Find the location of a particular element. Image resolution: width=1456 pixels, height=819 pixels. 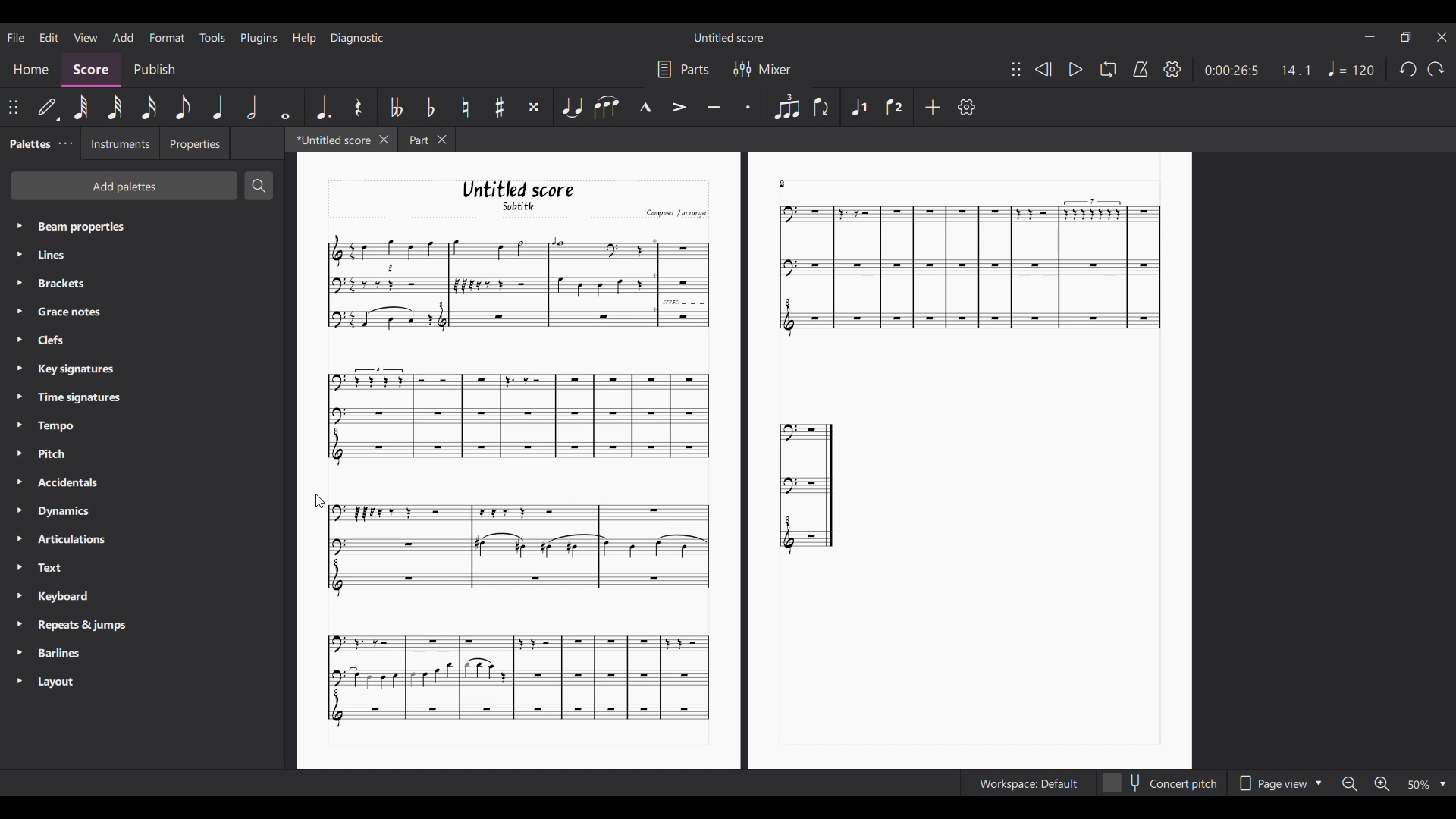

Tools menu is located at coordinates (212, 37).